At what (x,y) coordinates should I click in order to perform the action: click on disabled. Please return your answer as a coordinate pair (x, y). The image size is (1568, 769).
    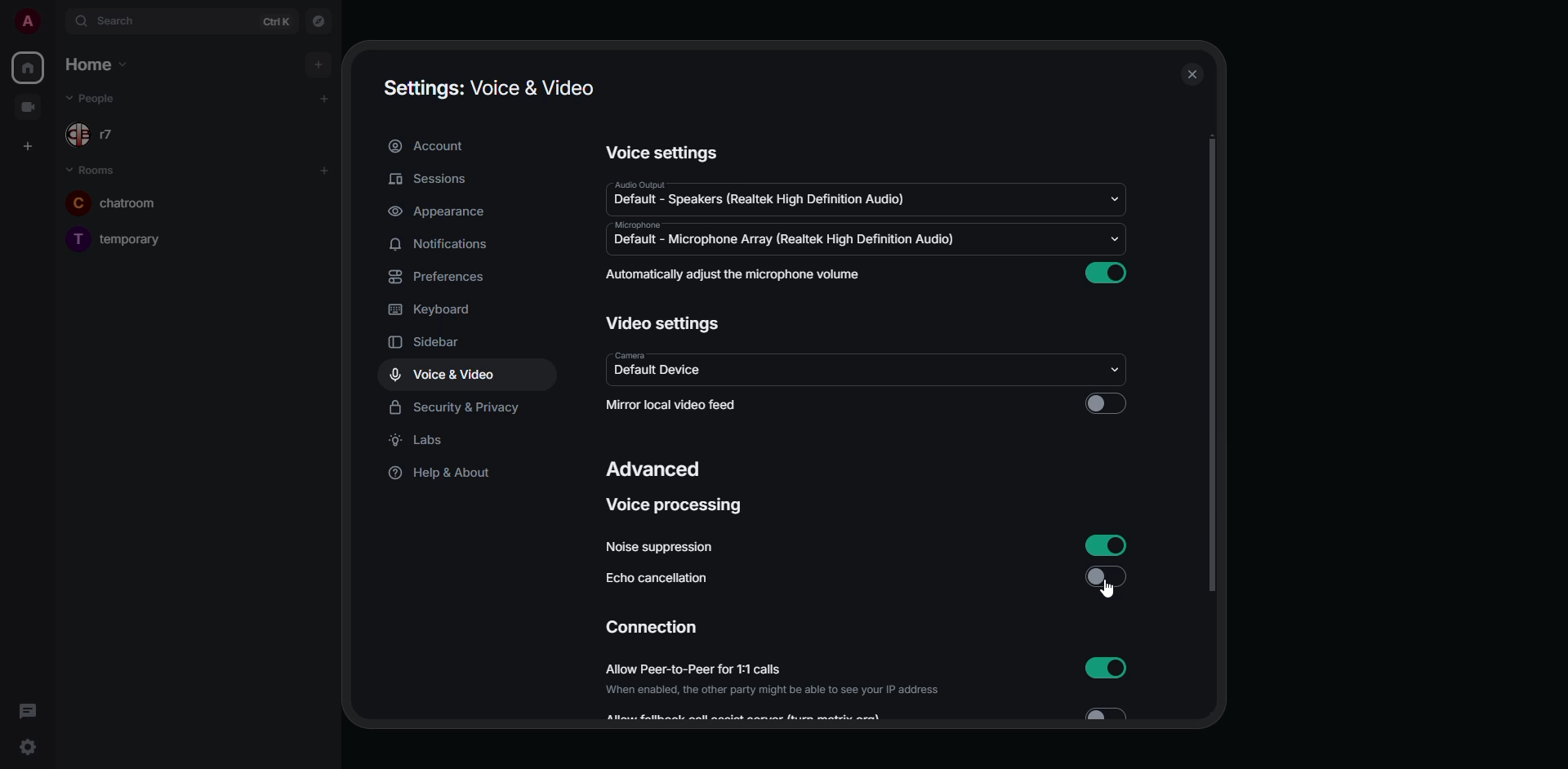
    Looking at the image, I should click on (1107, 580).